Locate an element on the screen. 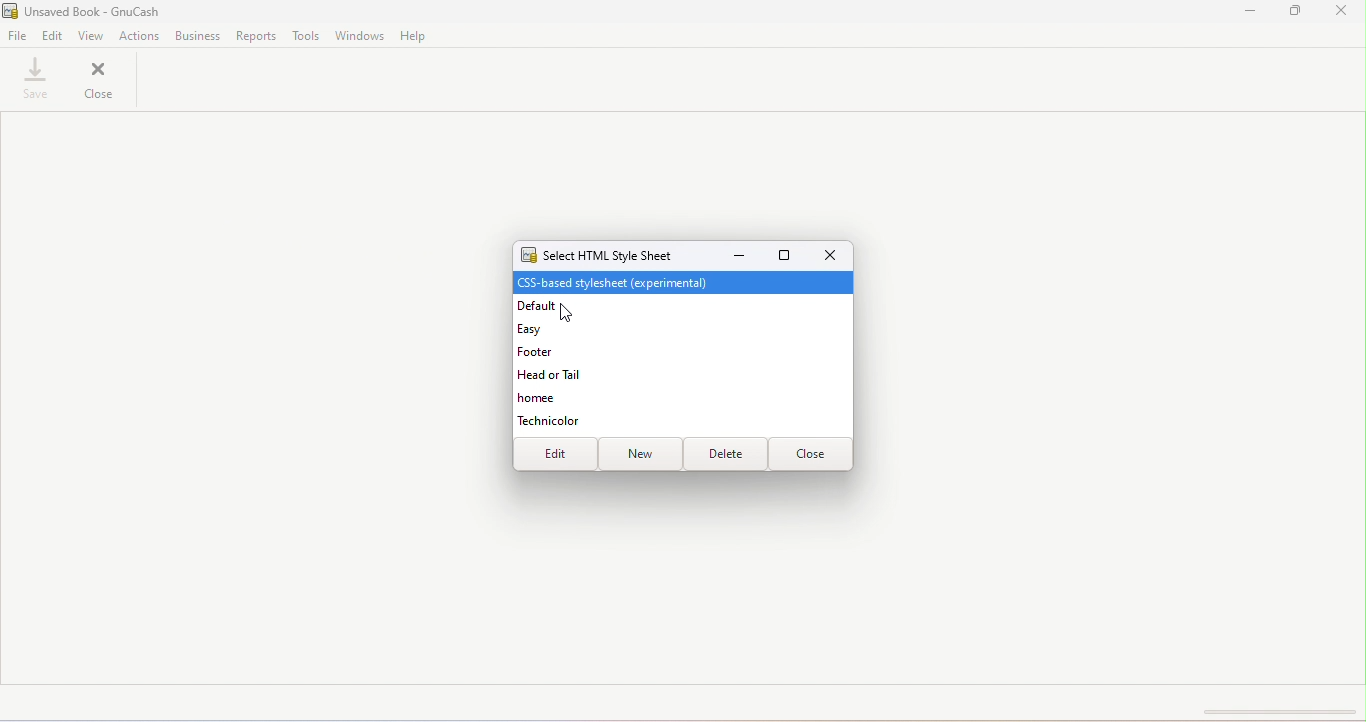 This screenshot has width=1366, height=722. Edit is located at coordinates (51, 38).